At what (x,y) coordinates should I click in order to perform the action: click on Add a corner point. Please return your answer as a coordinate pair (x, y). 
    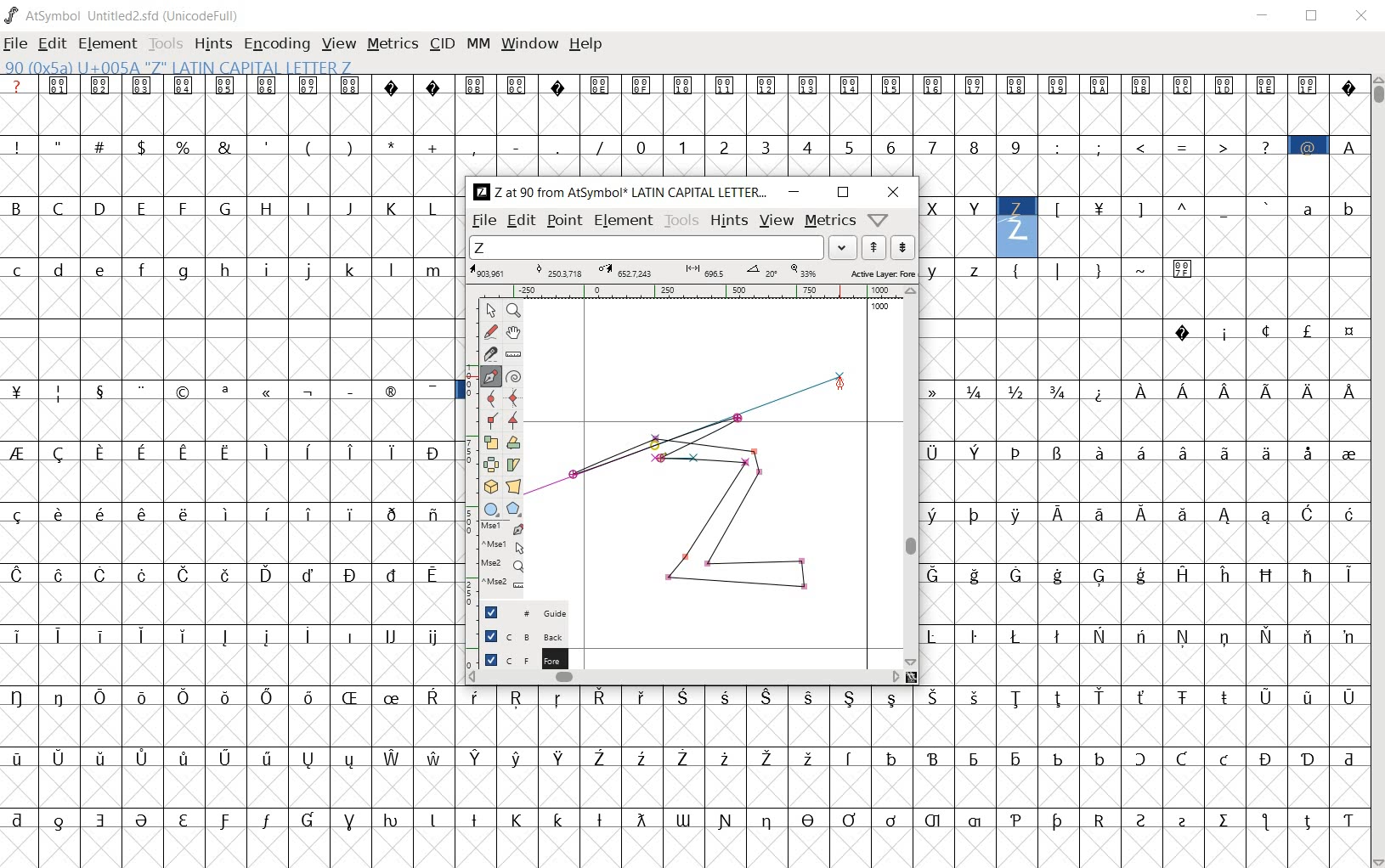
    Looking at the image, I should click on (512, 420).